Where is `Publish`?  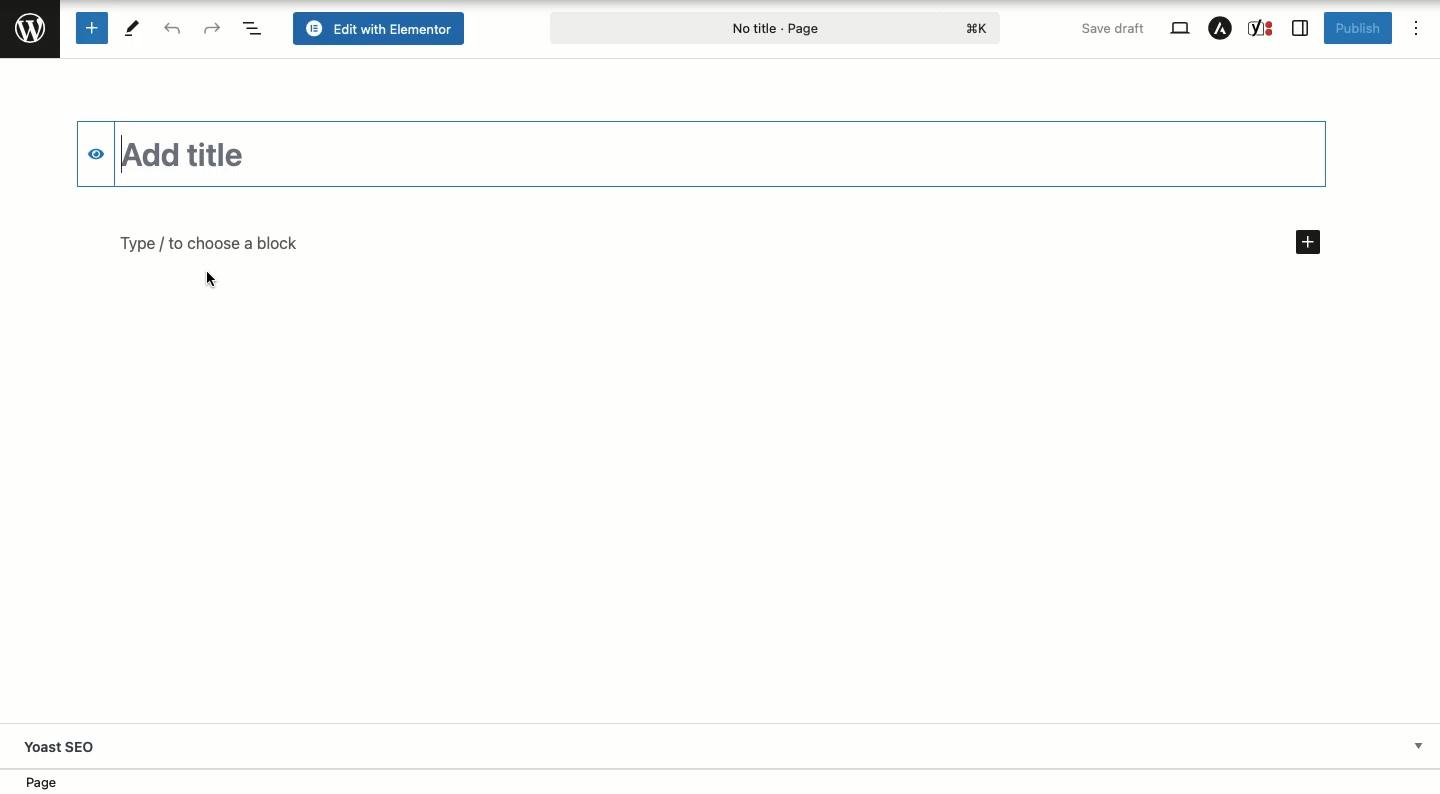
Publish is located at coordinates (1357, 28).